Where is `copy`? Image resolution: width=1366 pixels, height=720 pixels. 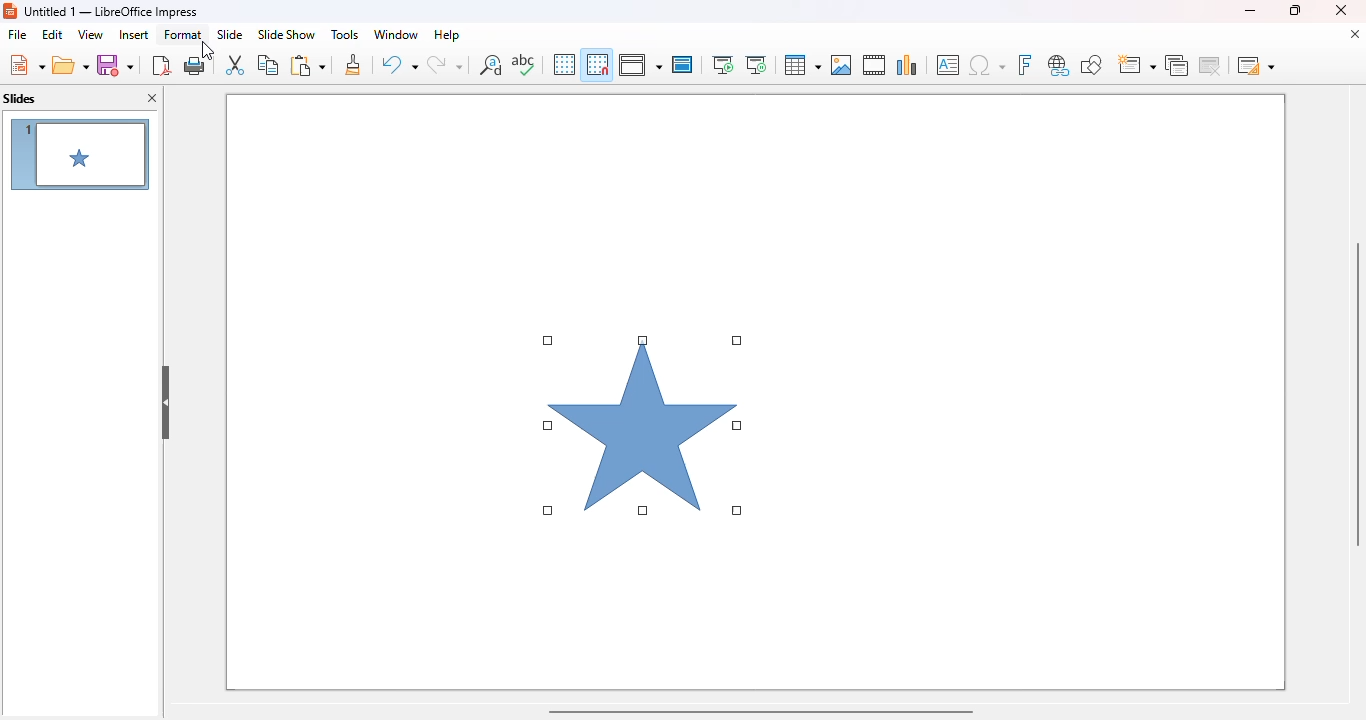
copy is located at coordinates (268, 64).